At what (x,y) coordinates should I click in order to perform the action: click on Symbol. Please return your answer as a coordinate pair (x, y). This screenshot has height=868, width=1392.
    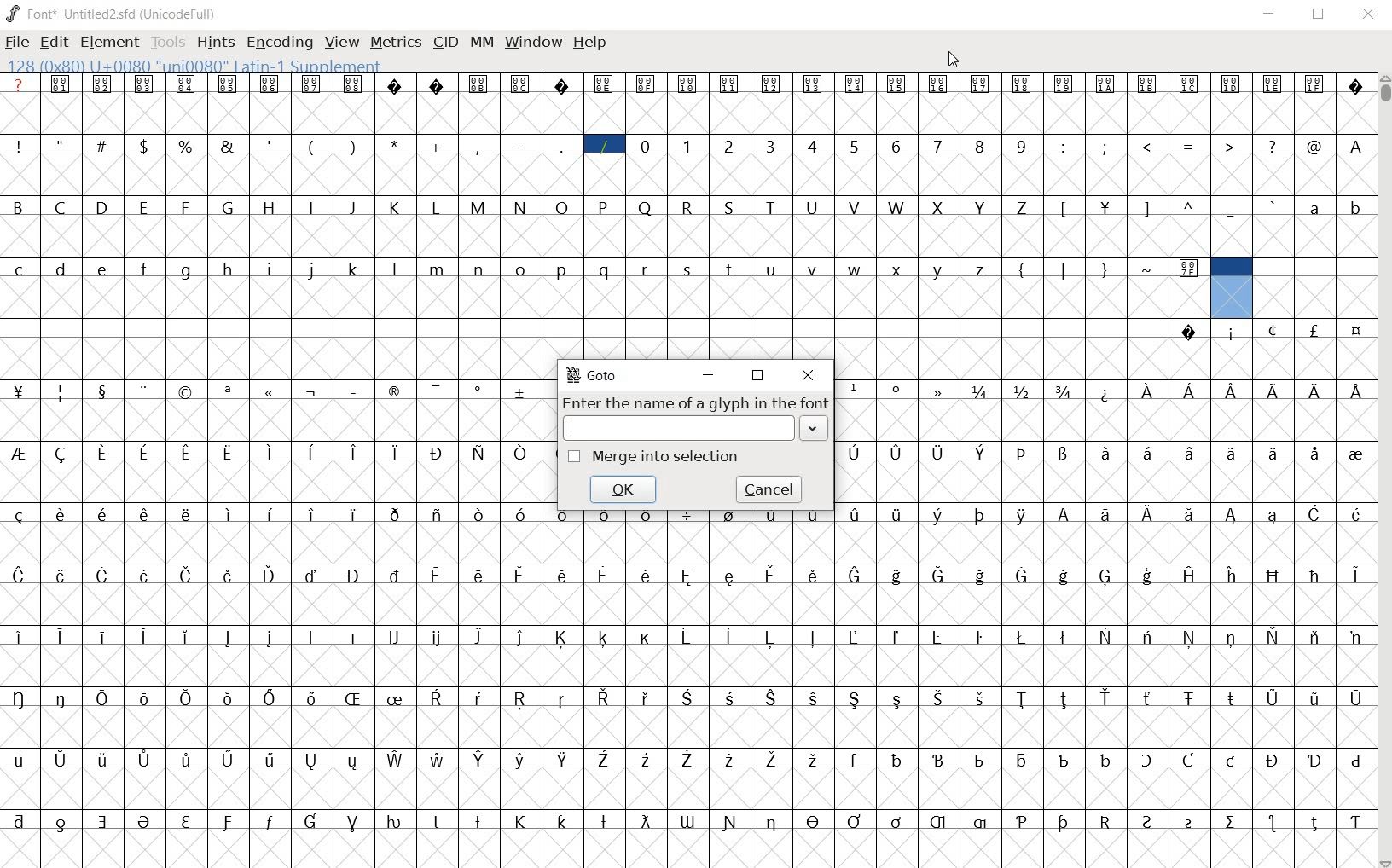
    Looking at the image, I should click on (397, 759).